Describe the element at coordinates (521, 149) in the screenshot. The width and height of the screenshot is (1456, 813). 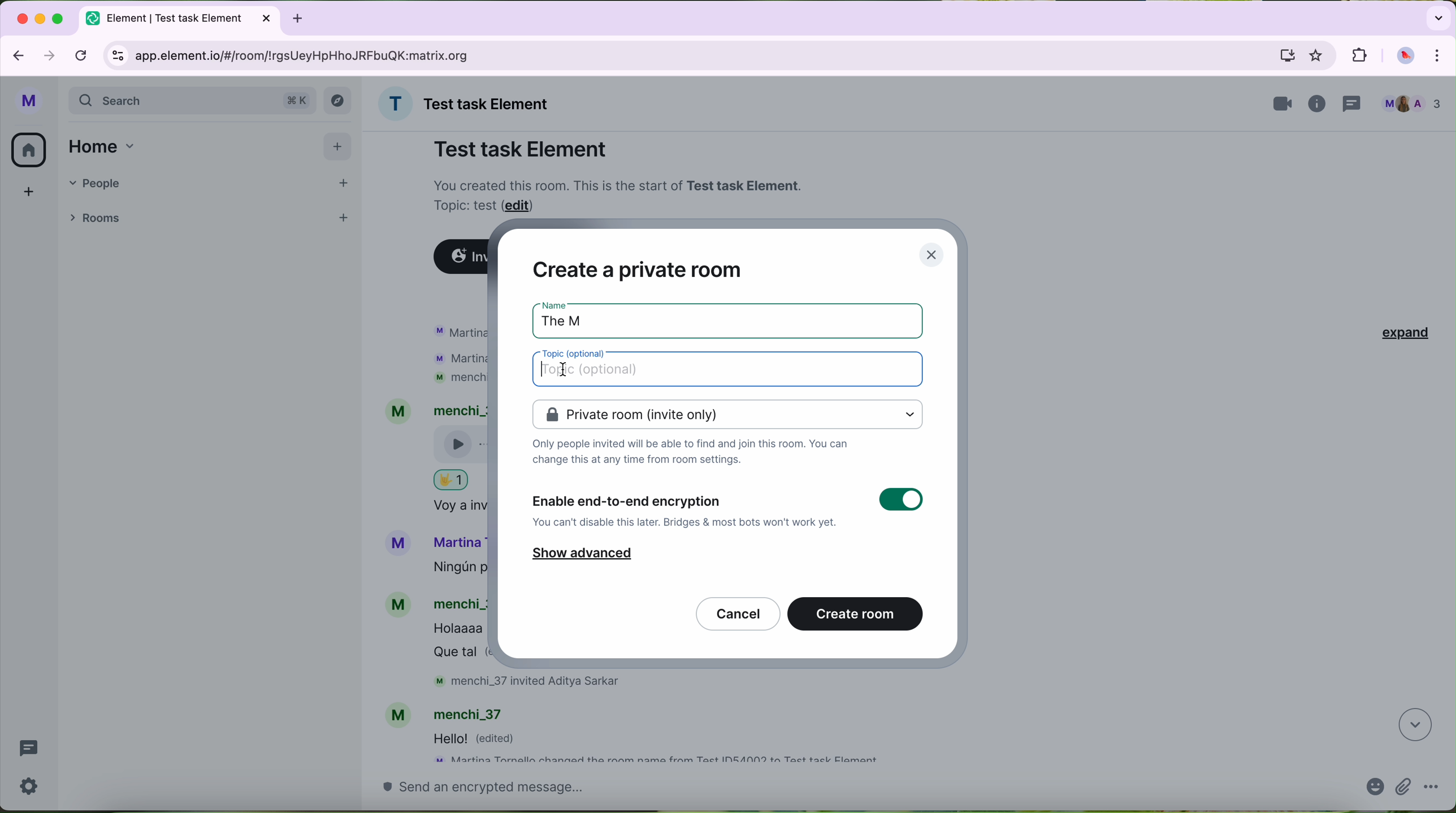
I see `Test task Element` at that location.